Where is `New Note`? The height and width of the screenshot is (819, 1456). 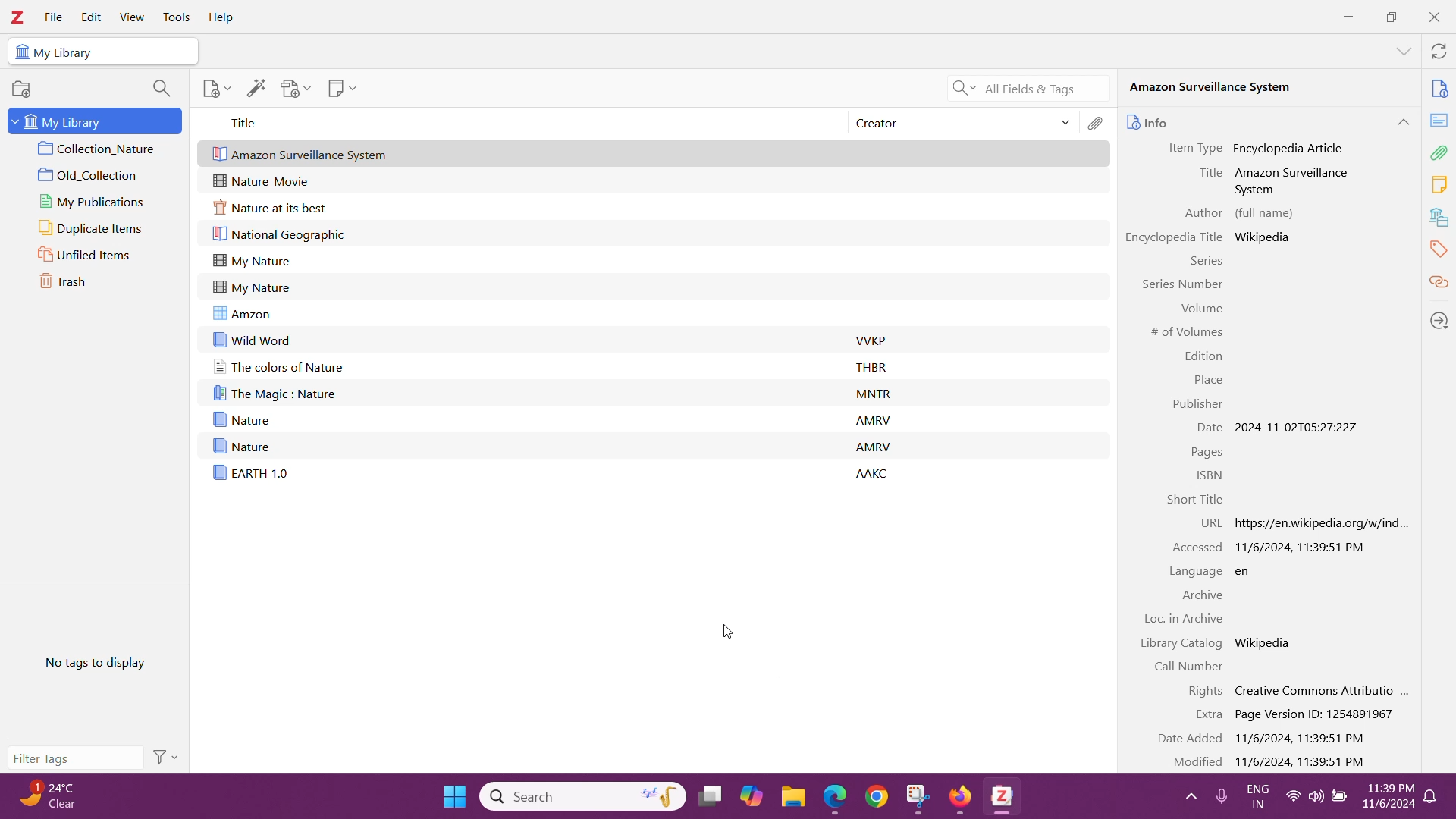
New Note is located at coordinates (341, 88).